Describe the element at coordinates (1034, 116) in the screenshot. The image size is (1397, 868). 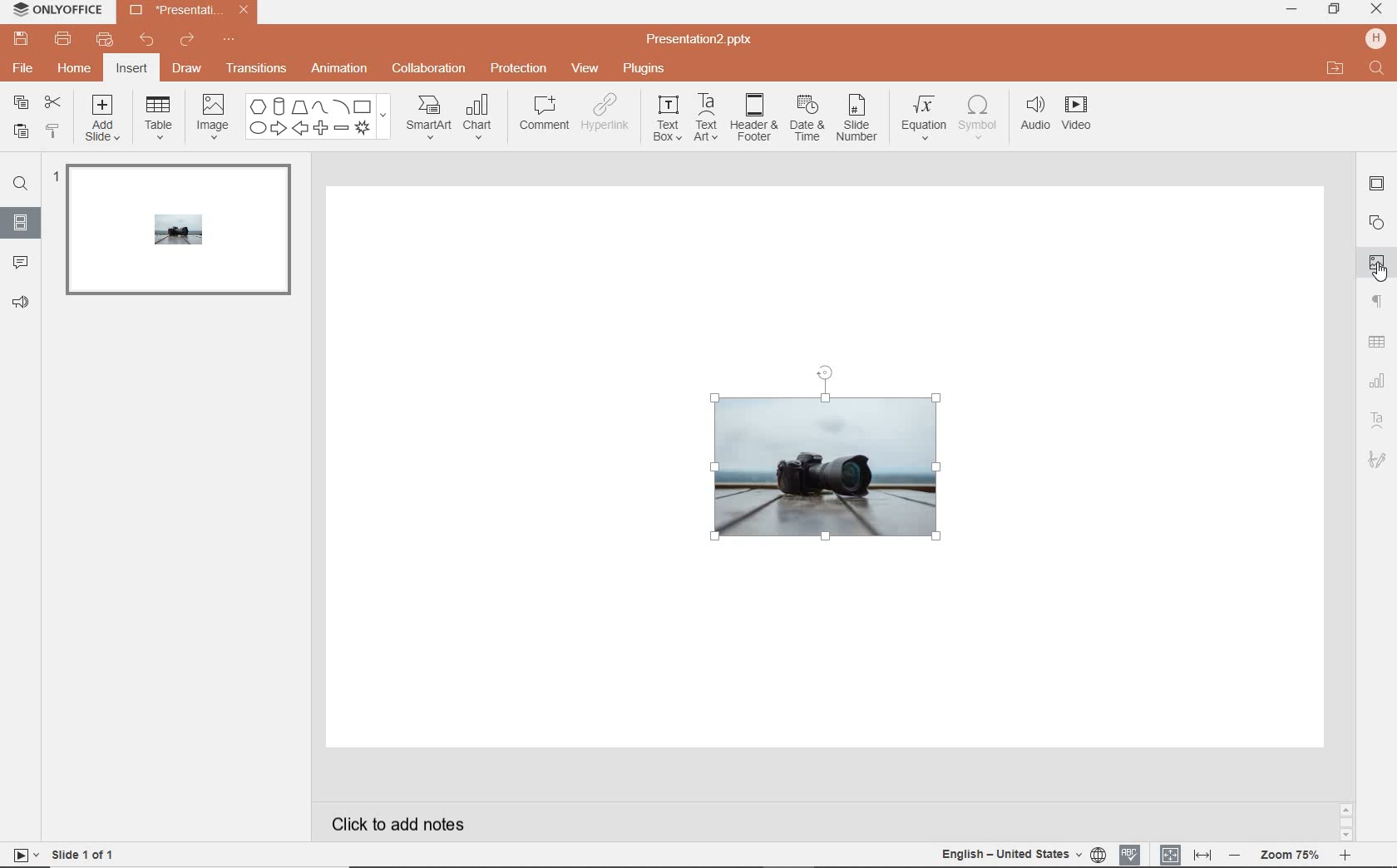
I see `audio` at that location.